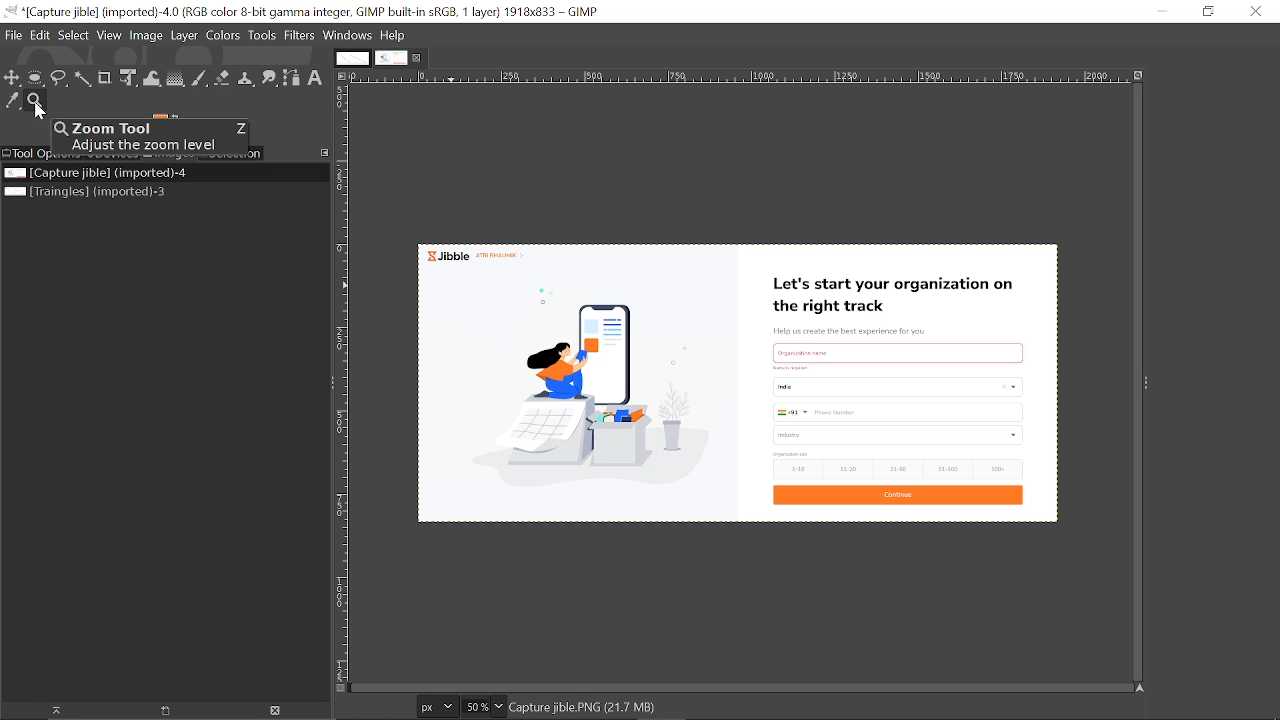 Image resolution: width=1280 pixels, height=720 pixels. Describe the element at coordinates (110, 37) in the screenshot. I see `View` at that location.